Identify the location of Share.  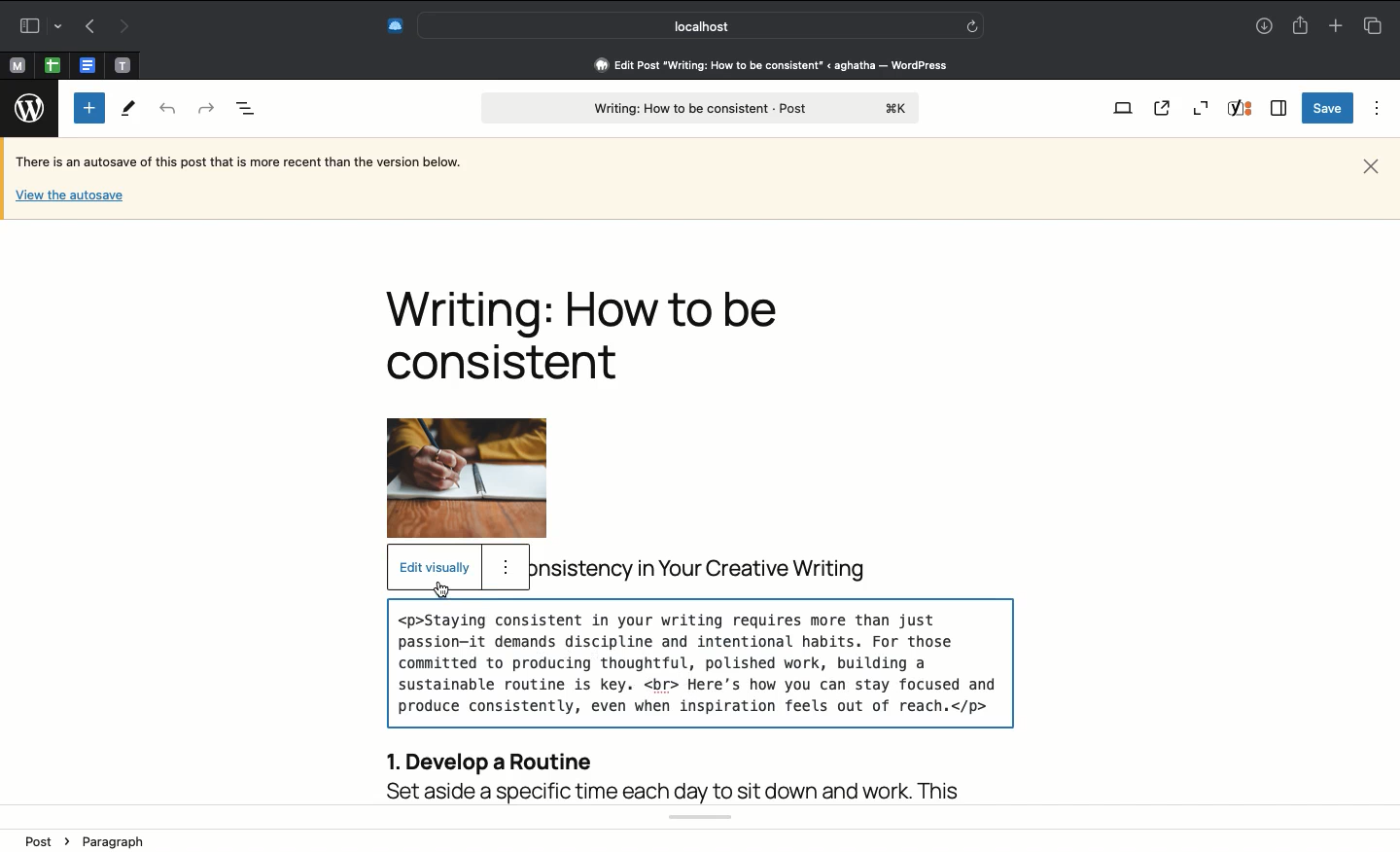
(1303, 26).